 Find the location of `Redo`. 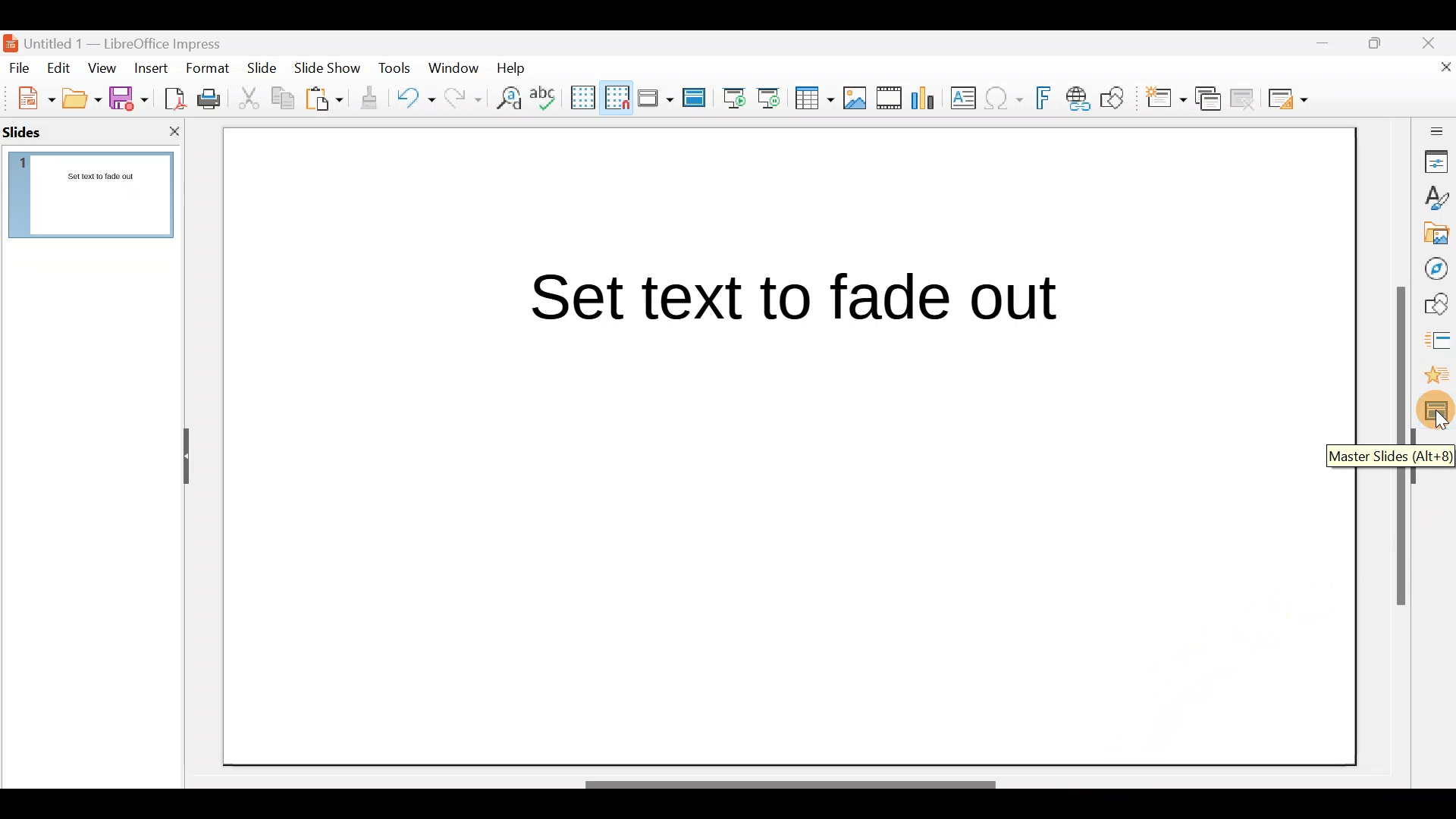

Redo is located at coordinates (461, 98).